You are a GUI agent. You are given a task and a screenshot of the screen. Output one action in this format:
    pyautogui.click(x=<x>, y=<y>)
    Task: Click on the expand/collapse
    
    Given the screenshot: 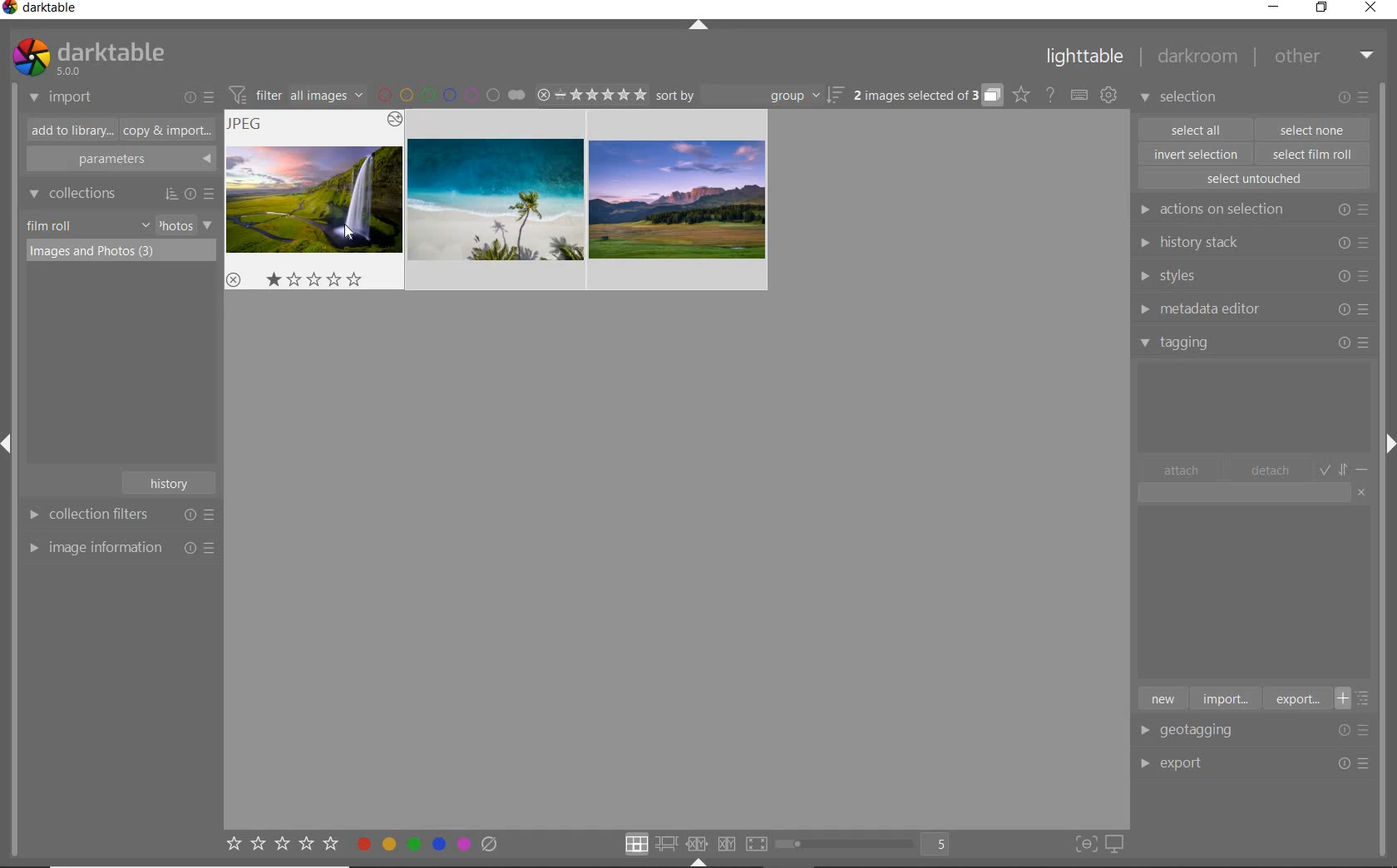 What is the action you would take?
    pyautogui.click(x=699, y=27)
    